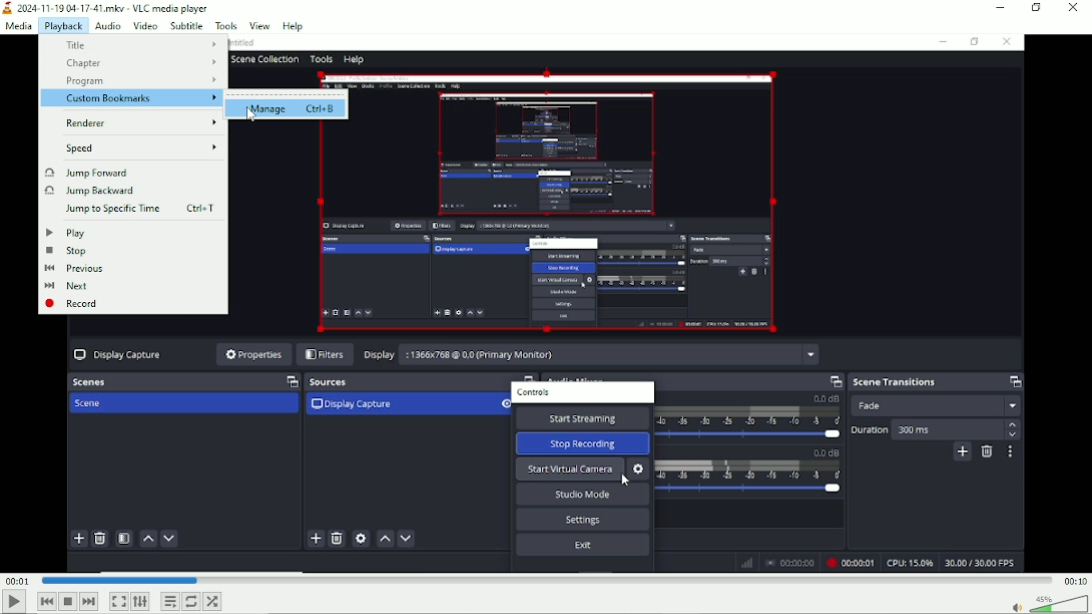 This screenshot has width=1092, height=614. I want to click on Cursor, so click(252, 116).